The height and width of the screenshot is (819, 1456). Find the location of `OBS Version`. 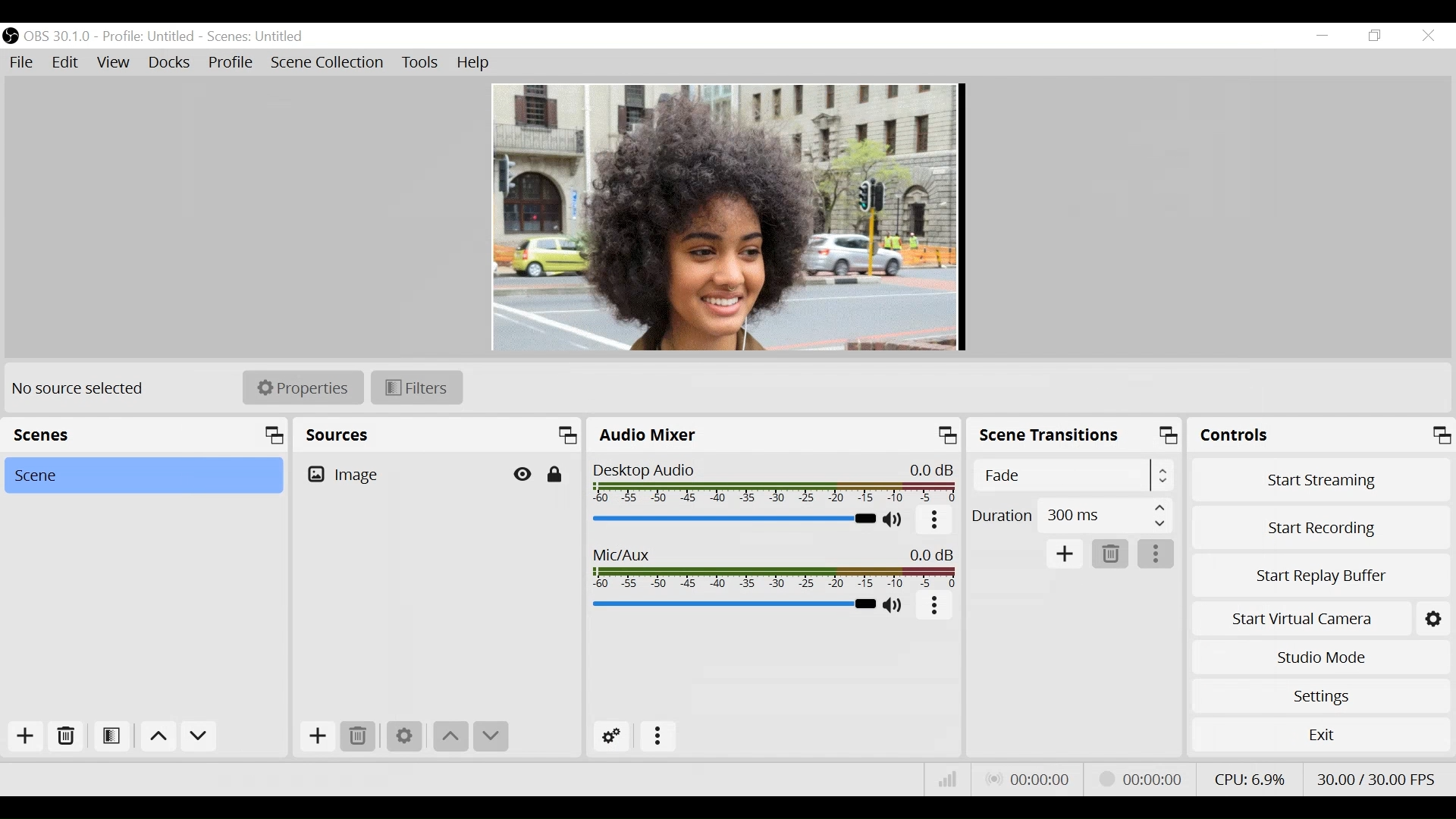

OBS Version is located at coordinates (60, 37).